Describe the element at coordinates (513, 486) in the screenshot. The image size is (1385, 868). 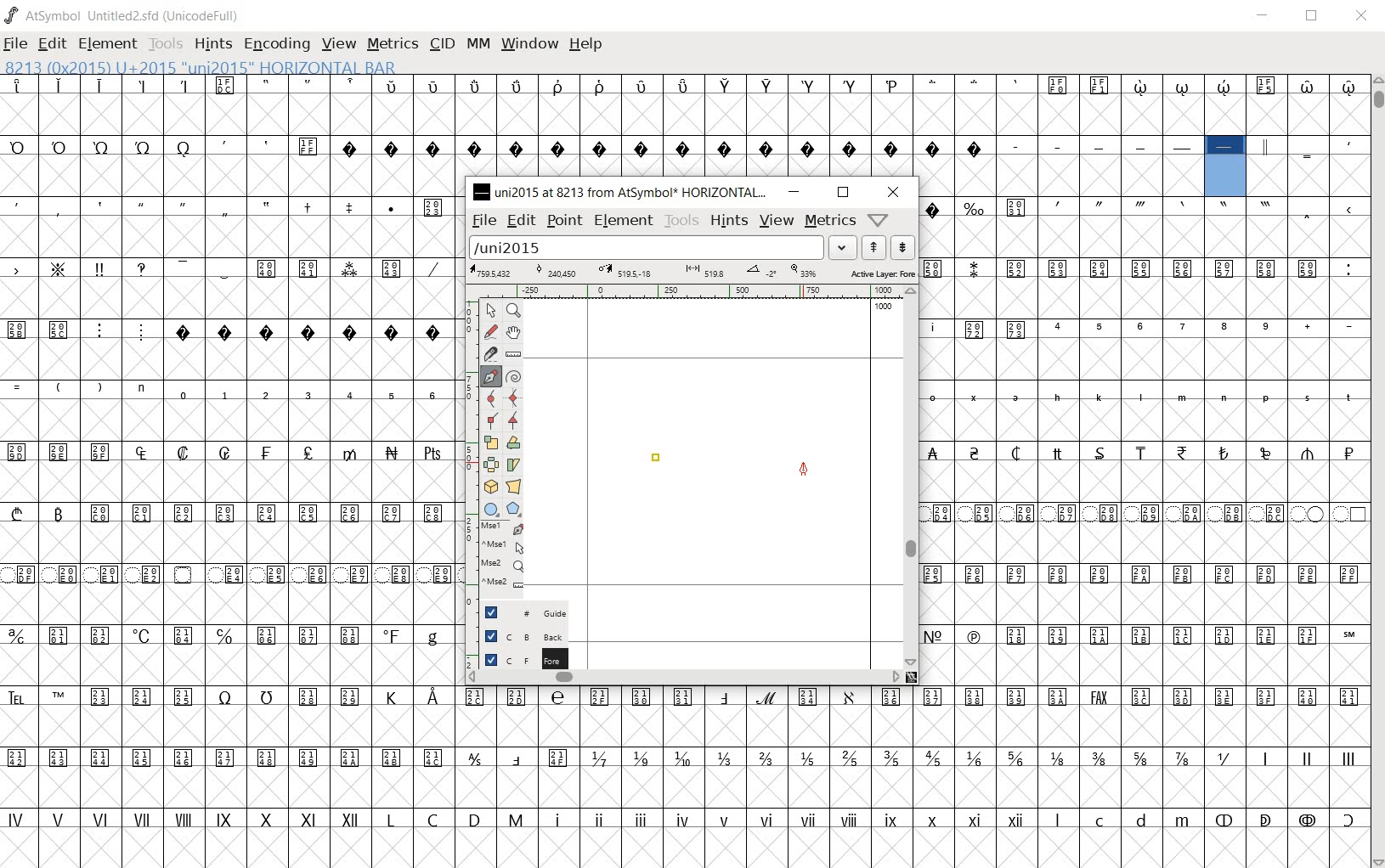
I see `perform a perspective transformation on the selection` at that location.